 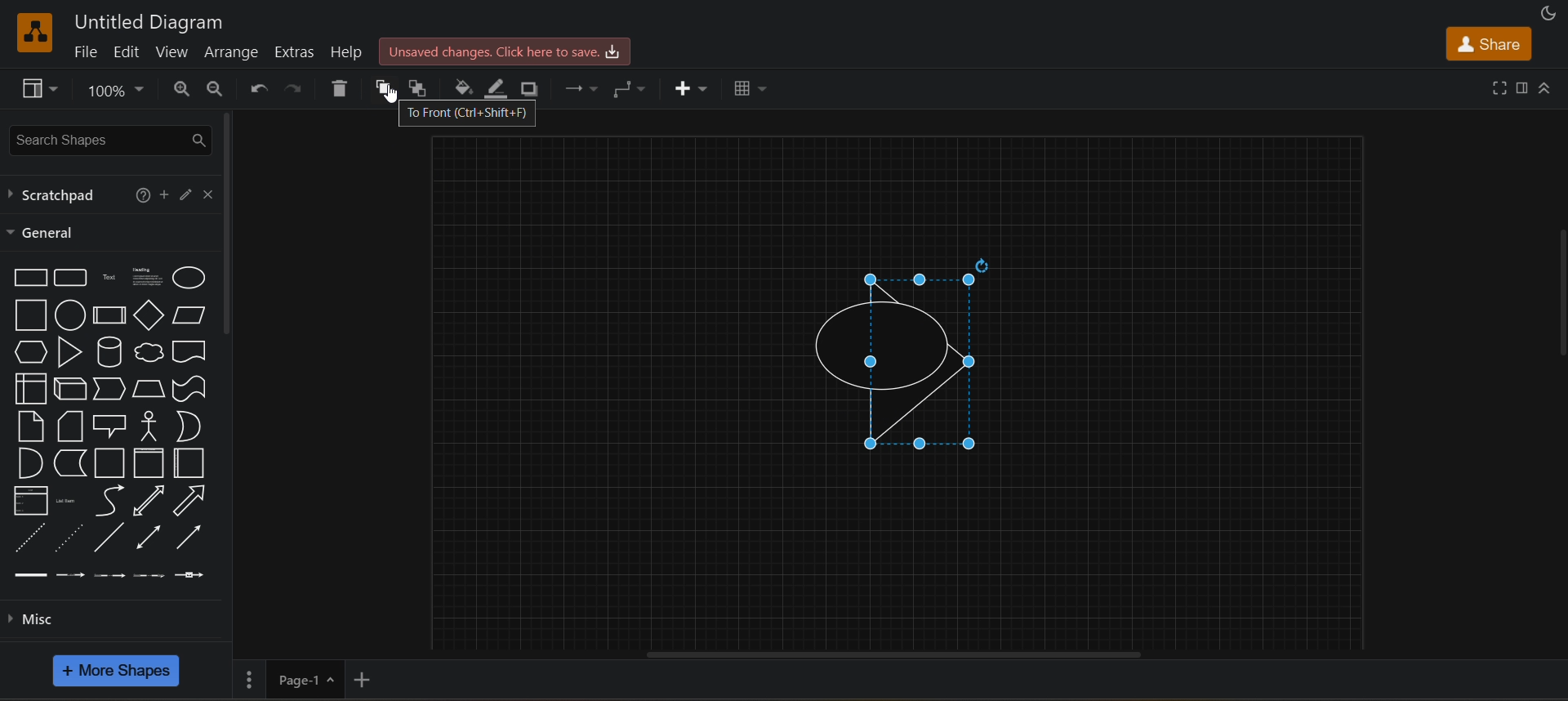 What do you see at coordinates (147, 464) in the screenshot?
I see `container` at bounding box center [147, 464].